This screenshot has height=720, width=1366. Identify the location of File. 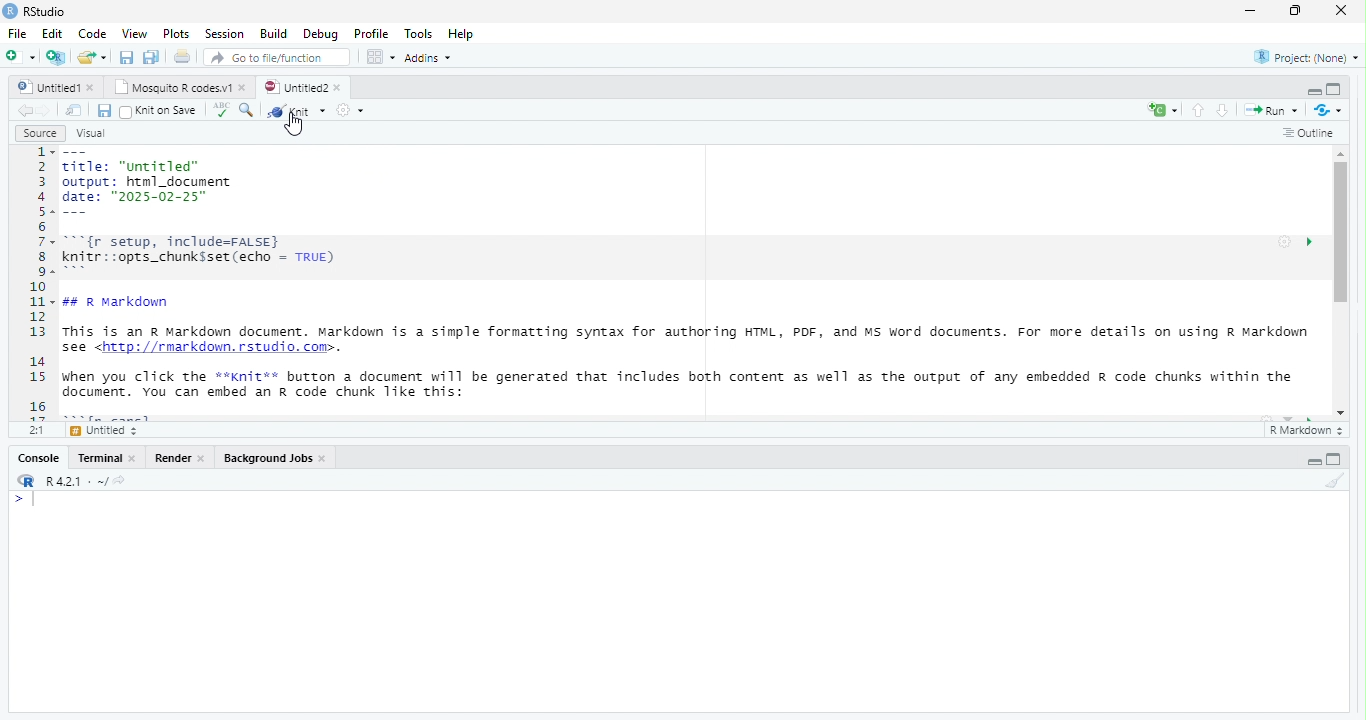
(20, 34).